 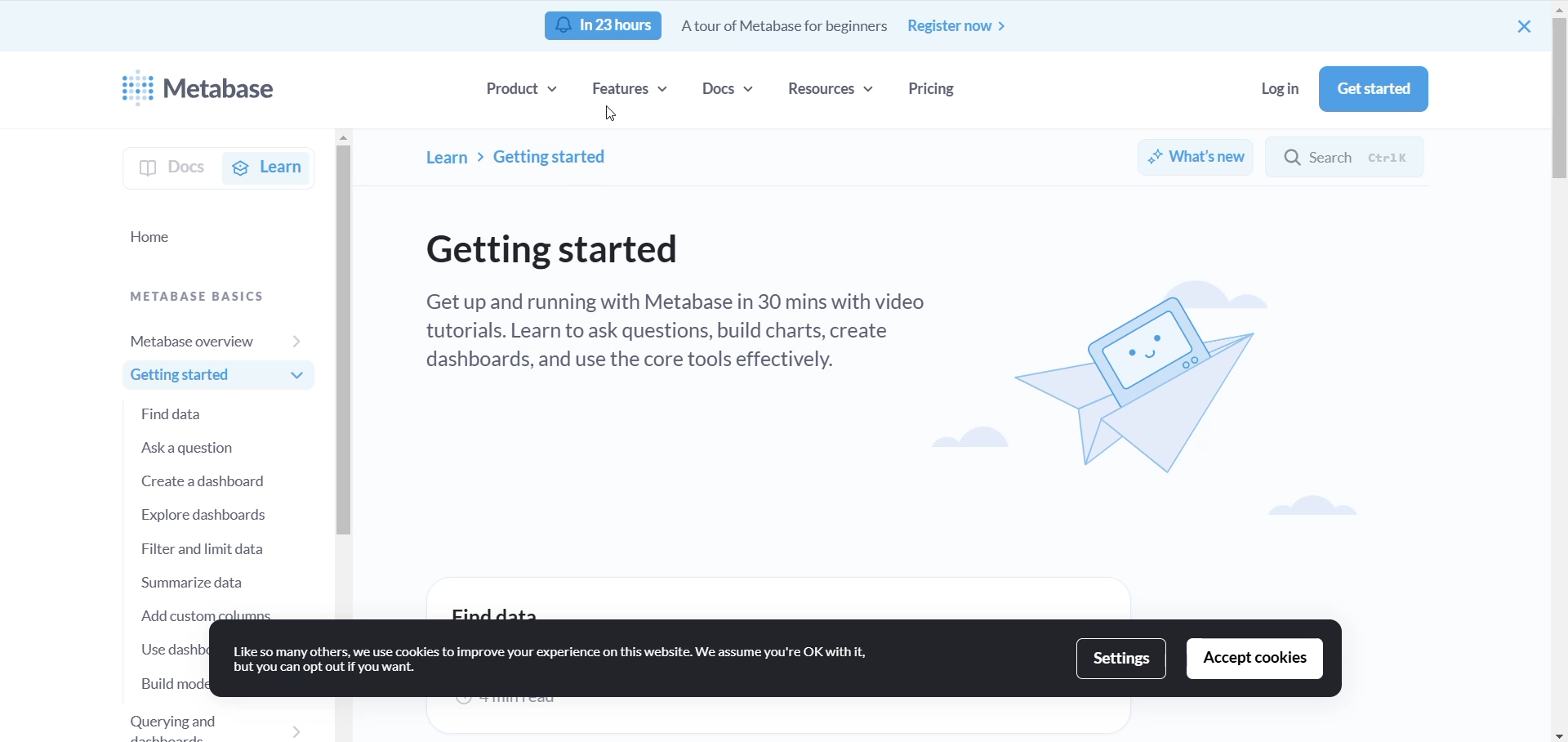 I want to click on movedown, so click(x=1558, y=734).